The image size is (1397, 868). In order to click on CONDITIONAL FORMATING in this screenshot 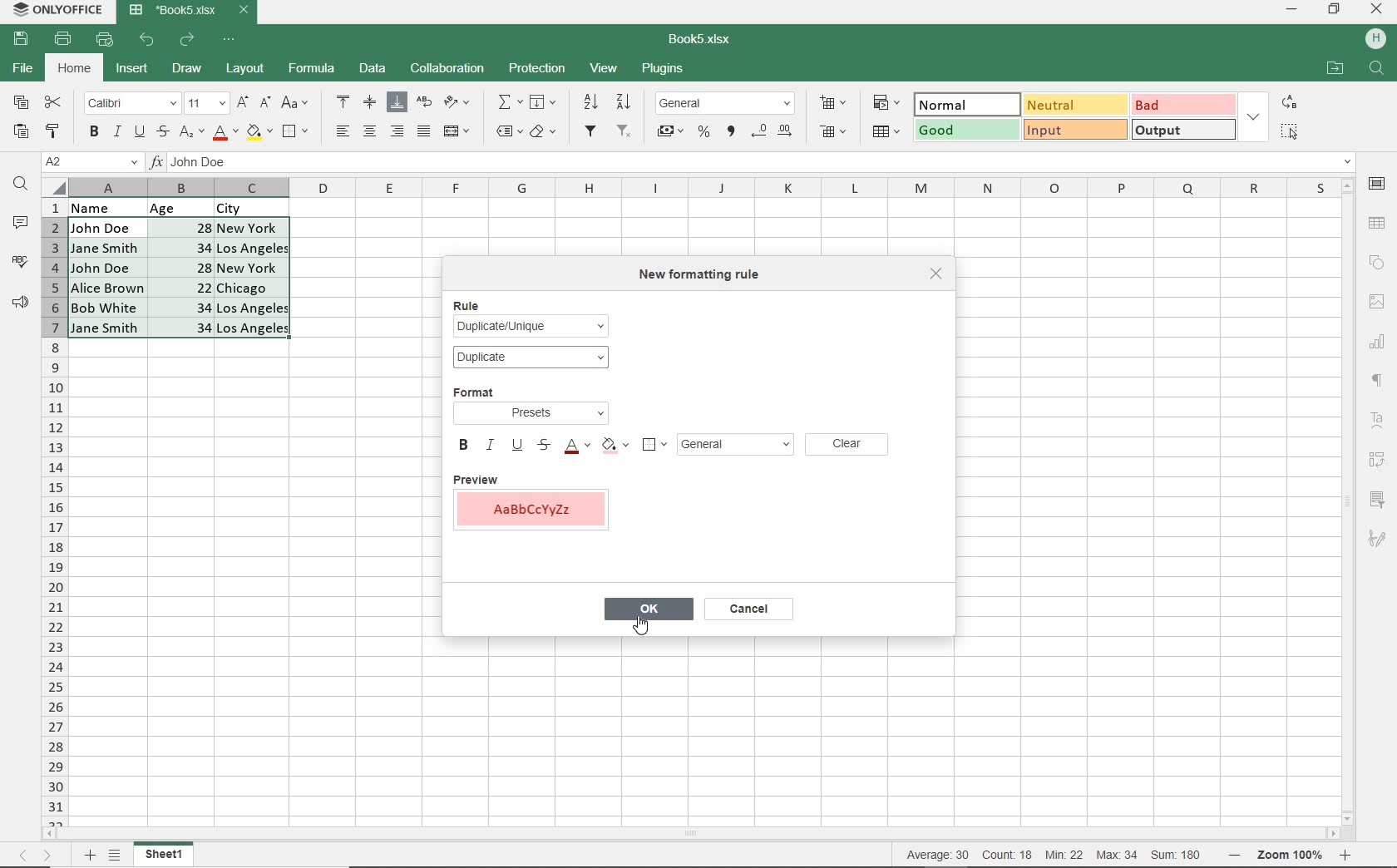, I will do `click(886, 102)`.